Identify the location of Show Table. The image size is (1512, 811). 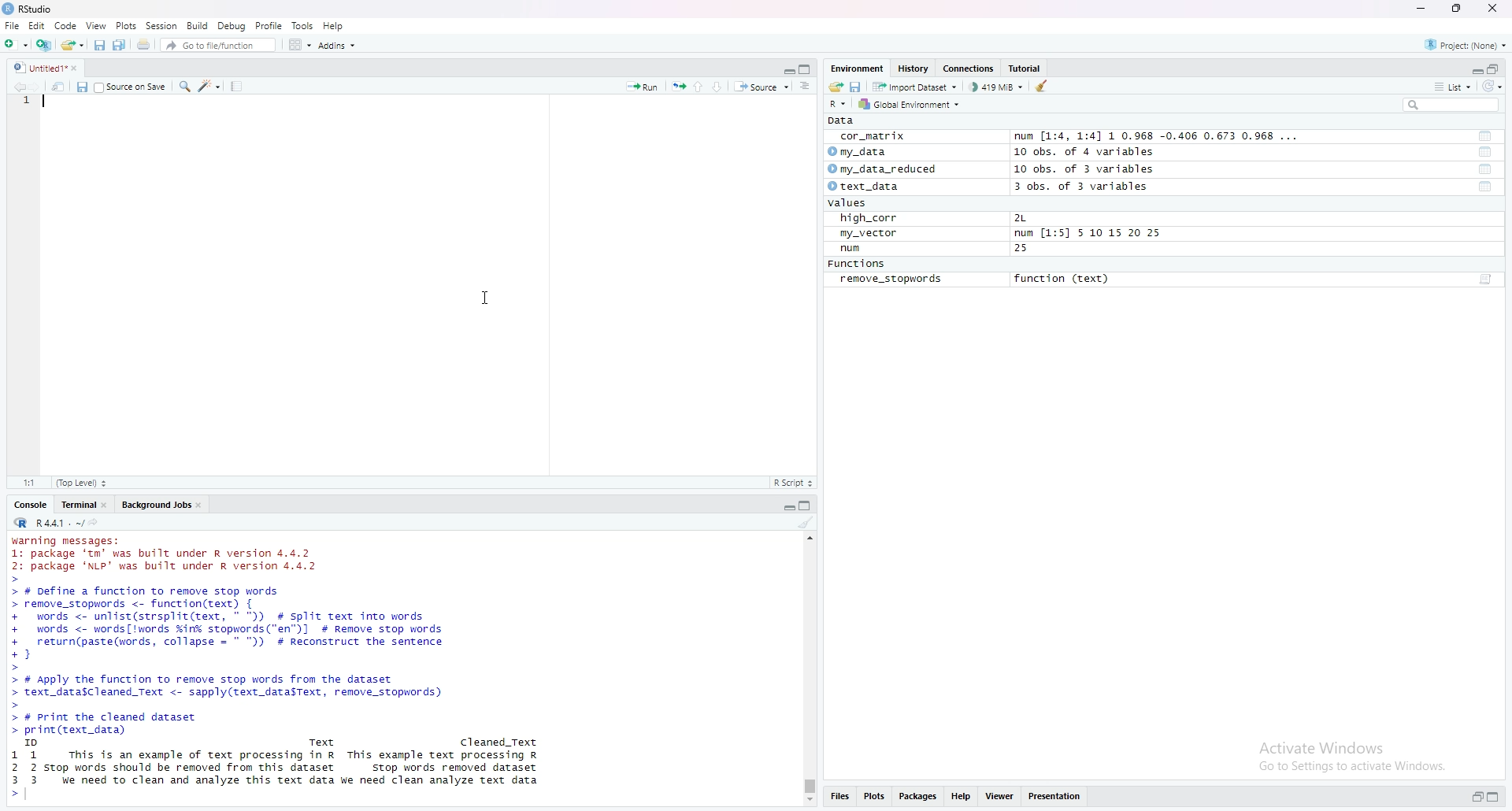
(1484, 135).